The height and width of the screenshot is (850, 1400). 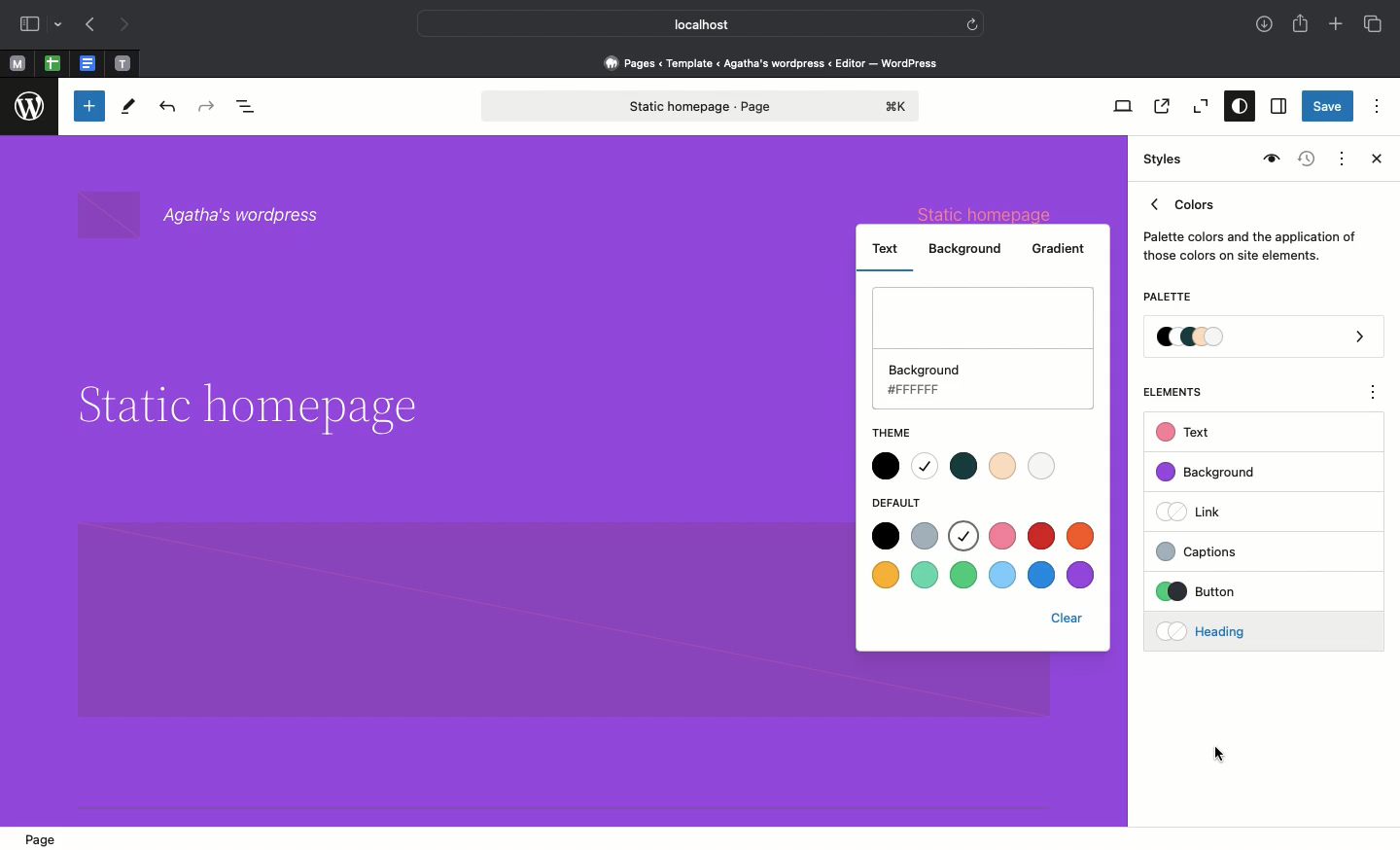 I want to click on Share, so click(x=1302, y=23).